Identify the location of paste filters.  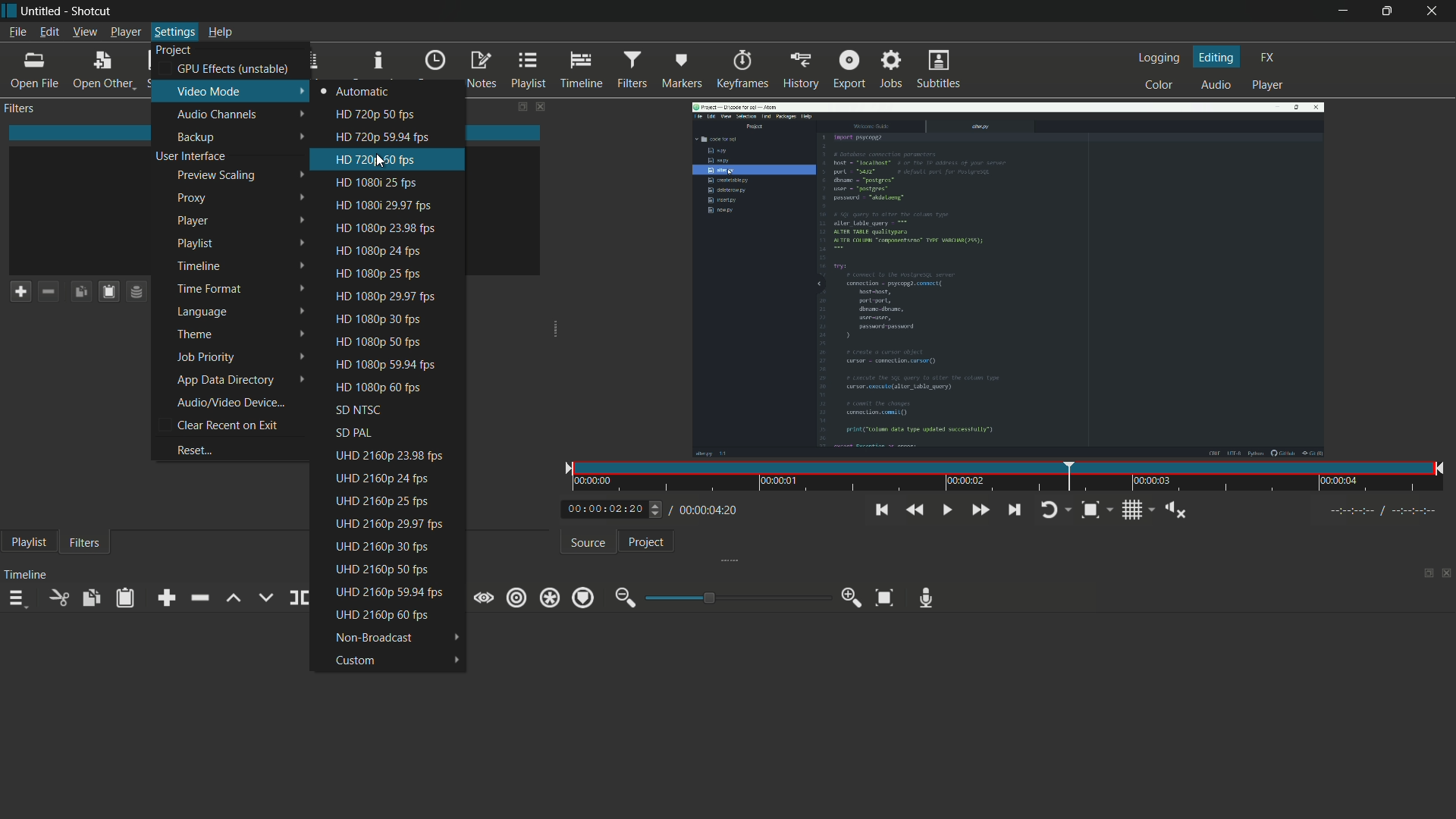
(125, 598).